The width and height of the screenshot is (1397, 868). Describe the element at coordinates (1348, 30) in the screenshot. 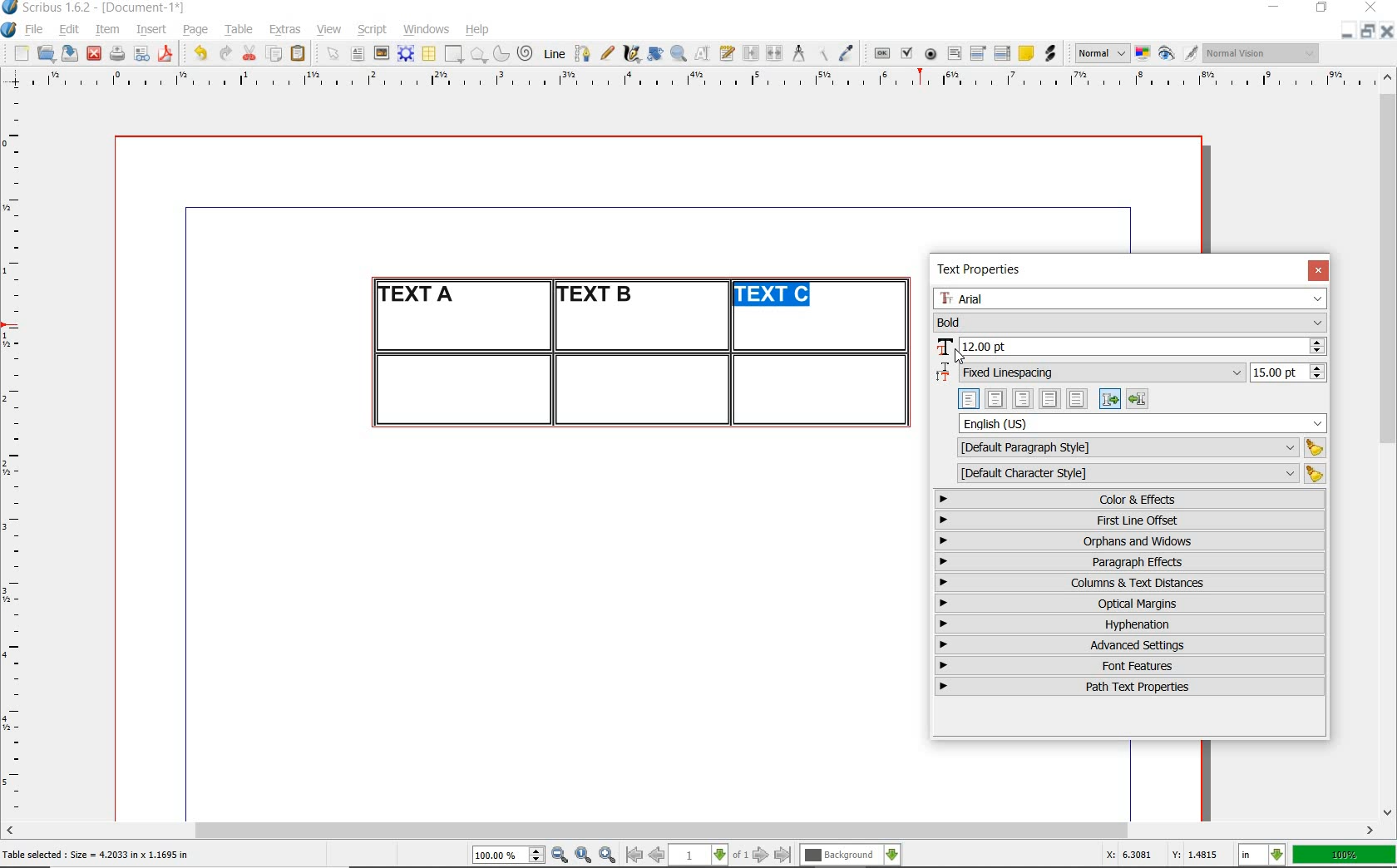

I see `minimize` at that location.